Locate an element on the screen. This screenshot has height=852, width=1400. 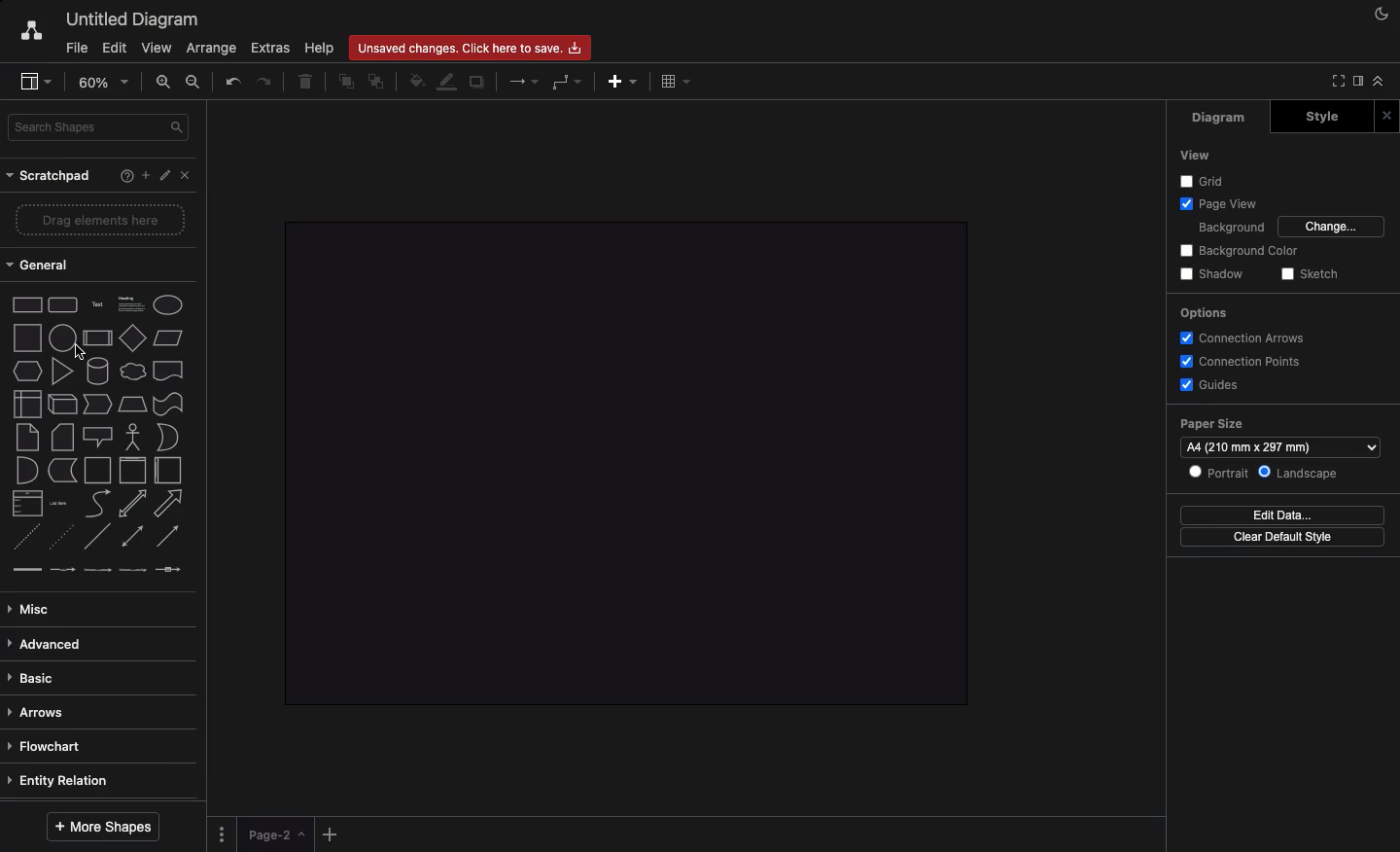
Change is located at coordinates (1334, 227).